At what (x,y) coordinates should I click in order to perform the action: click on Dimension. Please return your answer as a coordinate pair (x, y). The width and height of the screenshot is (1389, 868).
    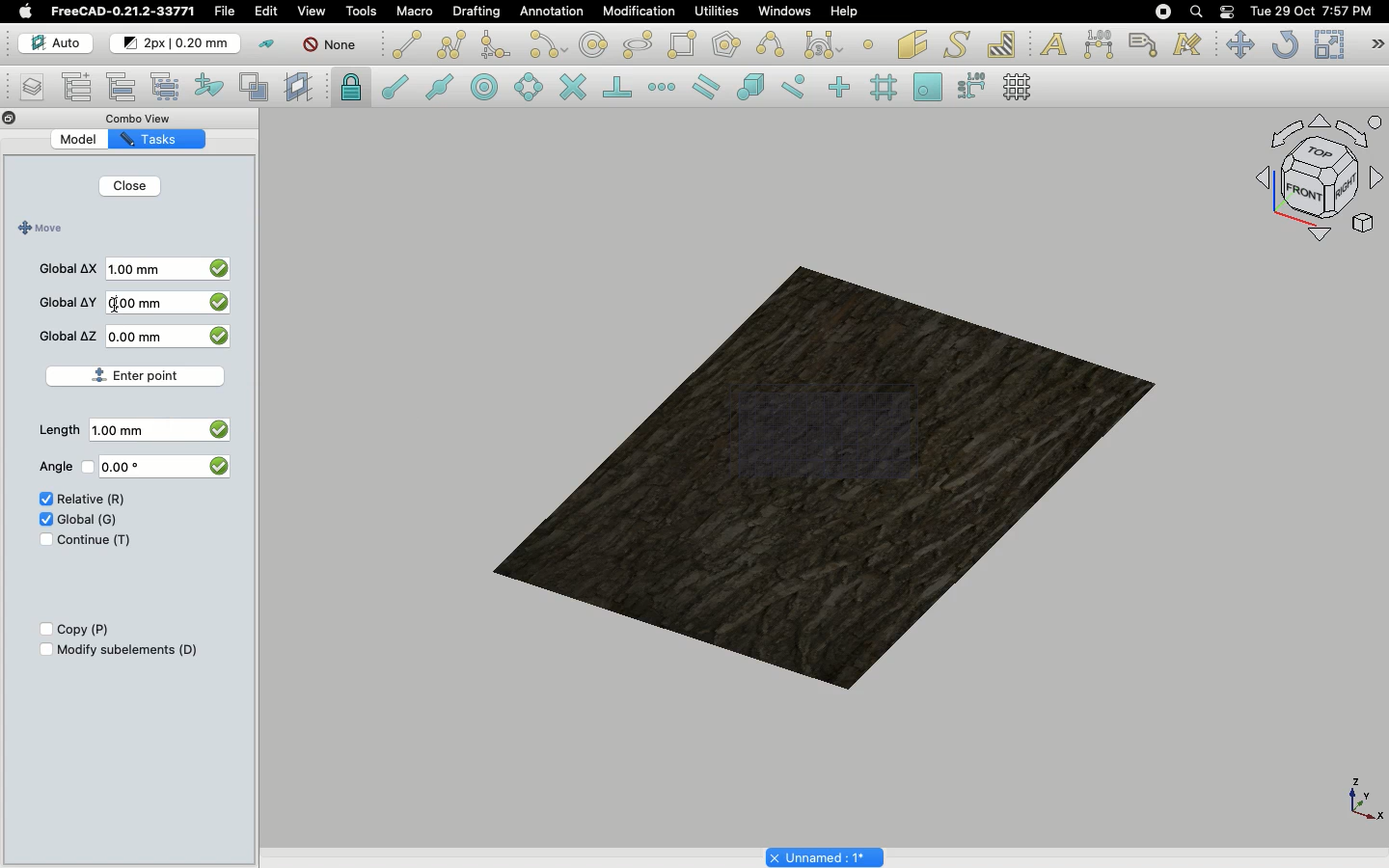
    Looking at the image, I should click on (1101, 44).